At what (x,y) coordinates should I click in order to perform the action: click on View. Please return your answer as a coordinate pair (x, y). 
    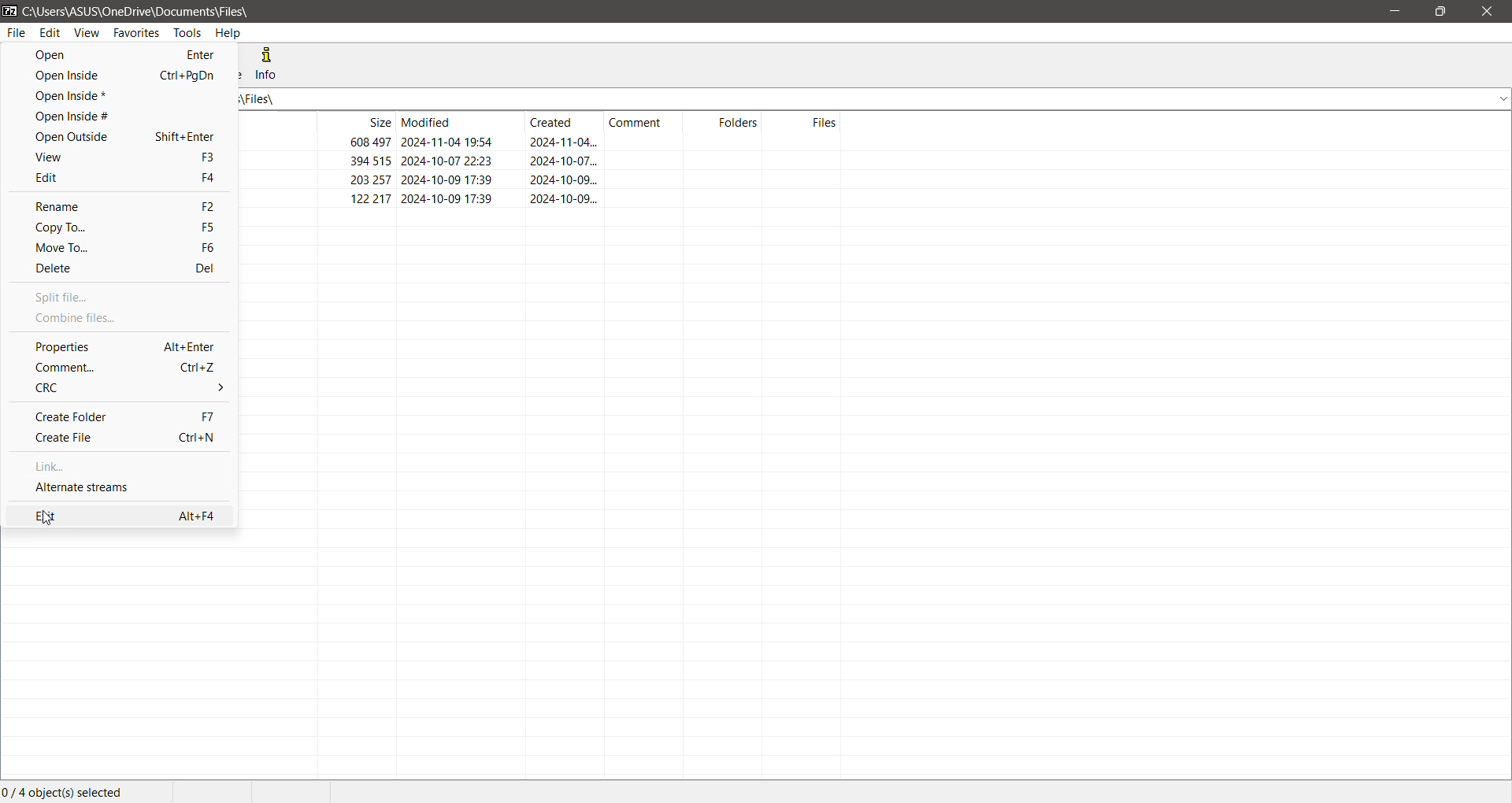
    Looking at the image, I should click on (88, 34).